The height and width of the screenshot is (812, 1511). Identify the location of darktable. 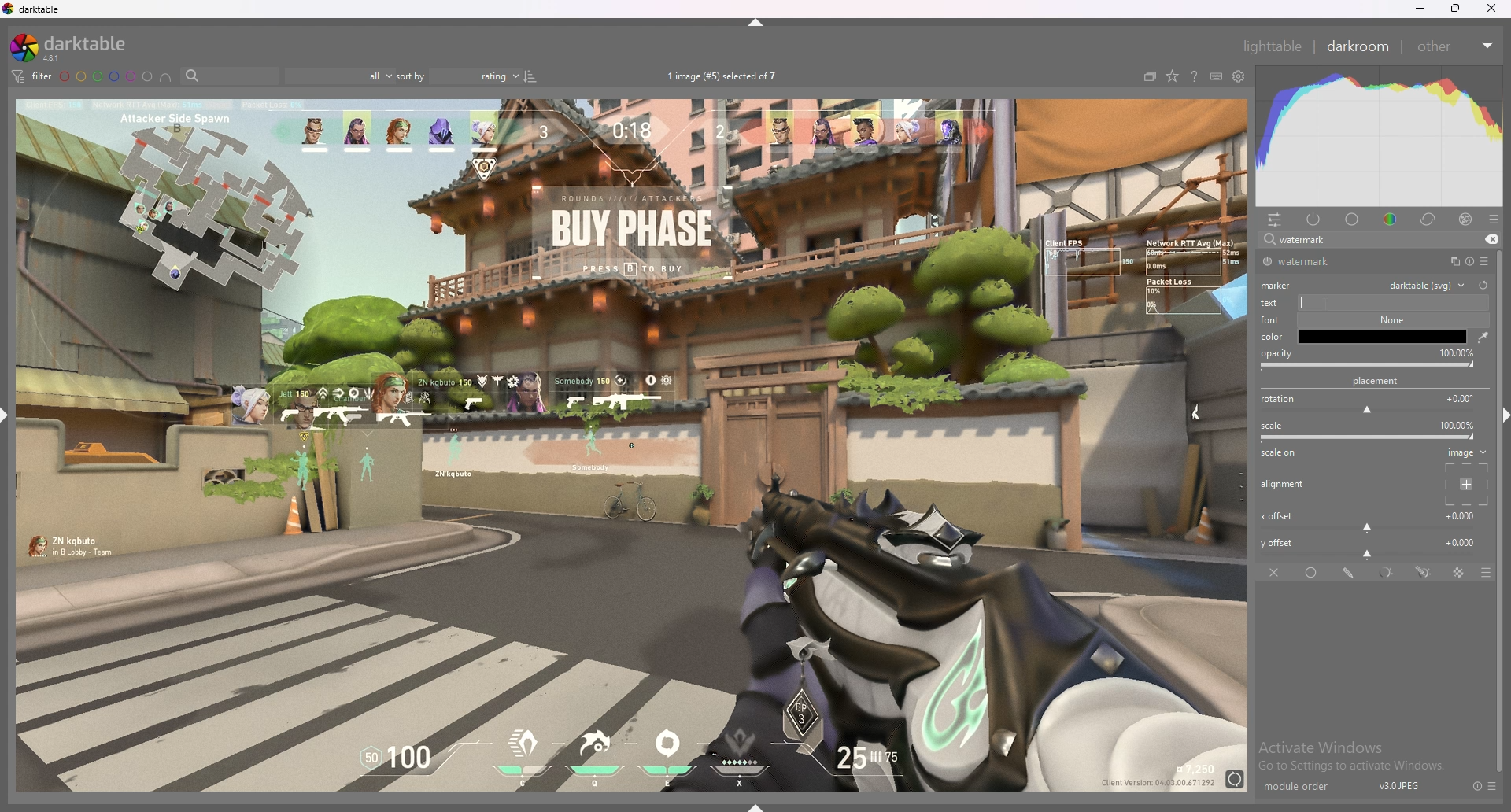
(75, 47).